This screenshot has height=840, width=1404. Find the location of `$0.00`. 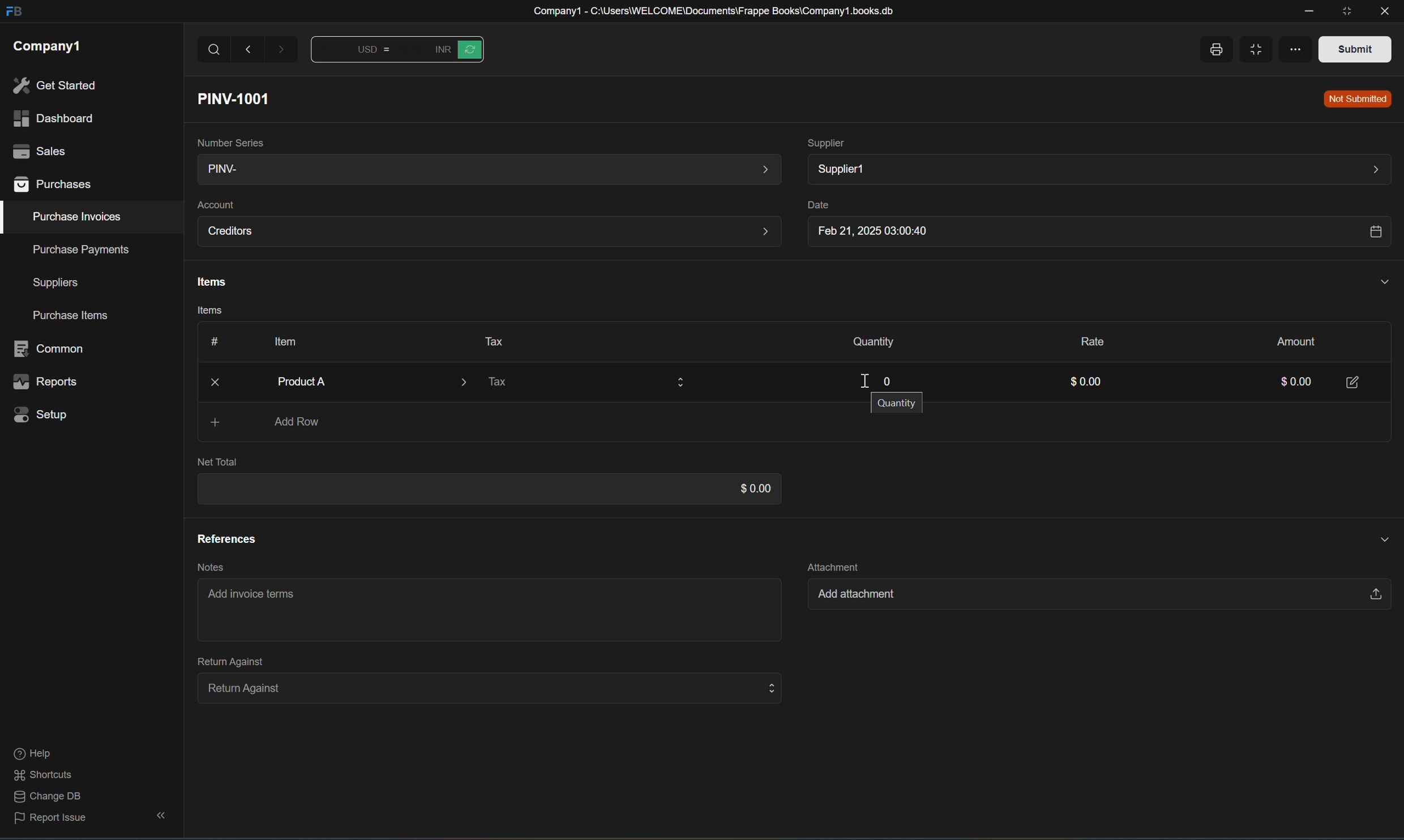

$0.00 is located at coordinates (749, 488).